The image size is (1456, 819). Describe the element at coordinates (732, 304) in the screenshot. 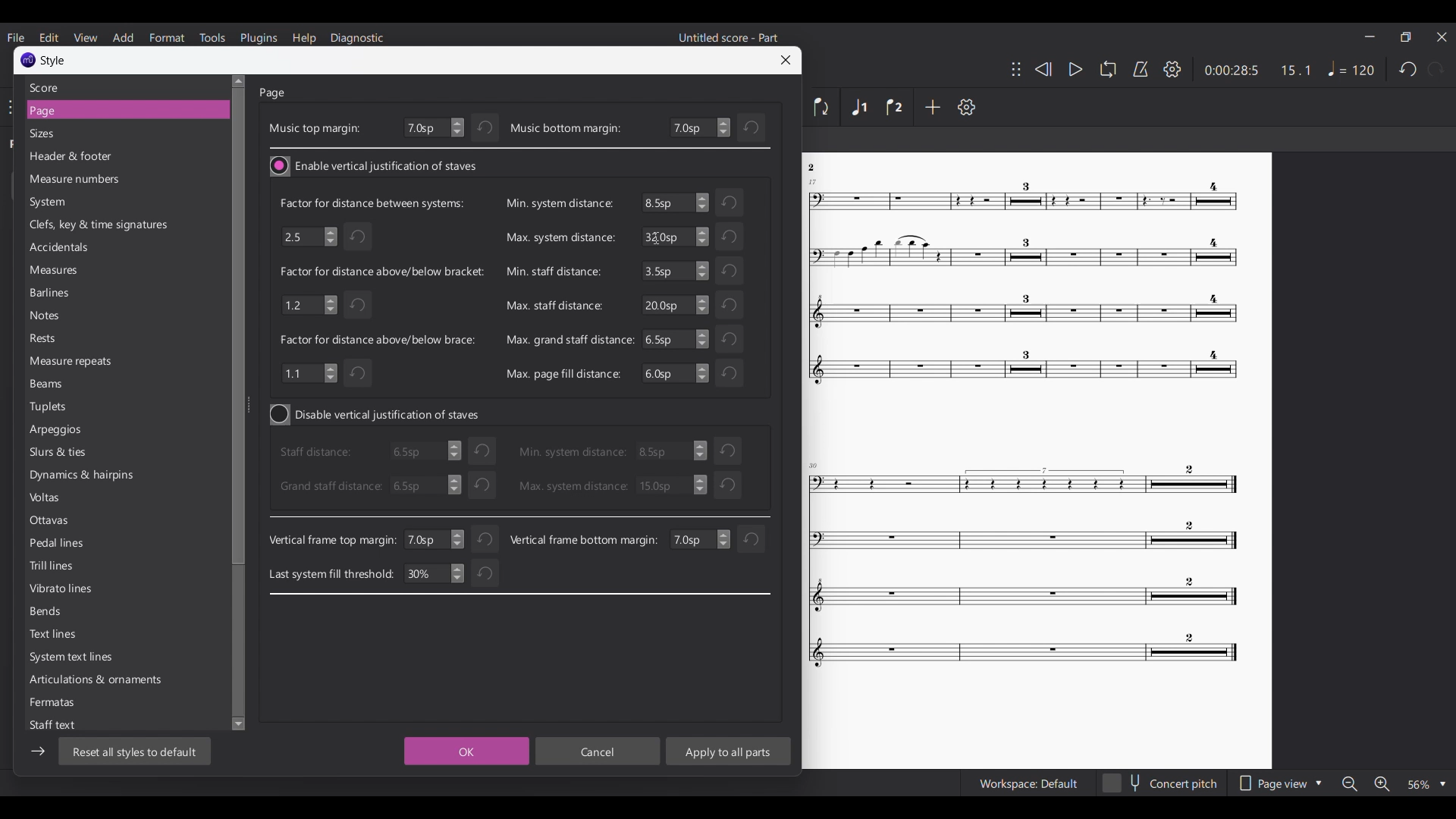

I see `Undo` at that location.